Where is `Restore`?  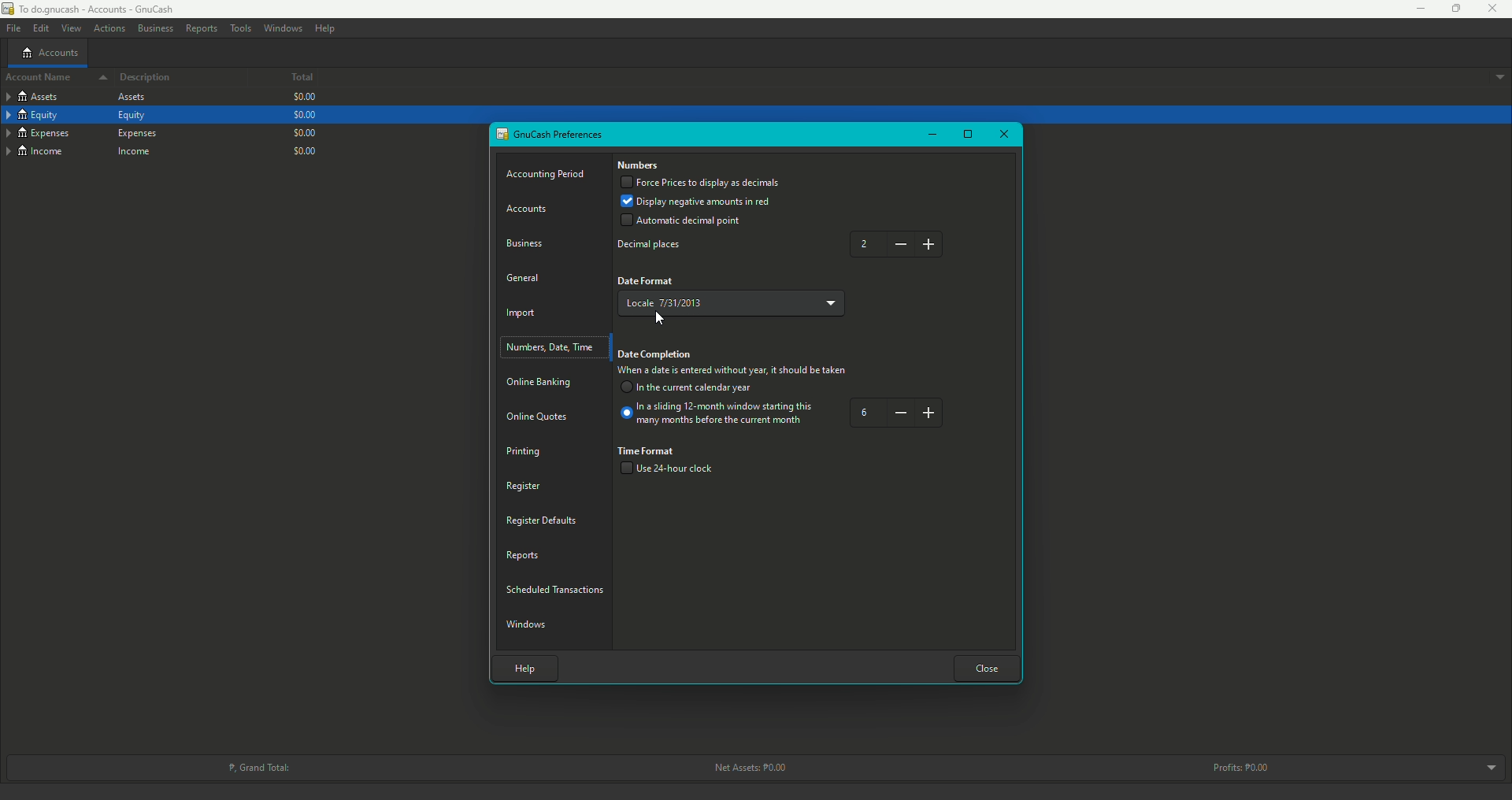 Restore is located at coordinates (968, 135).